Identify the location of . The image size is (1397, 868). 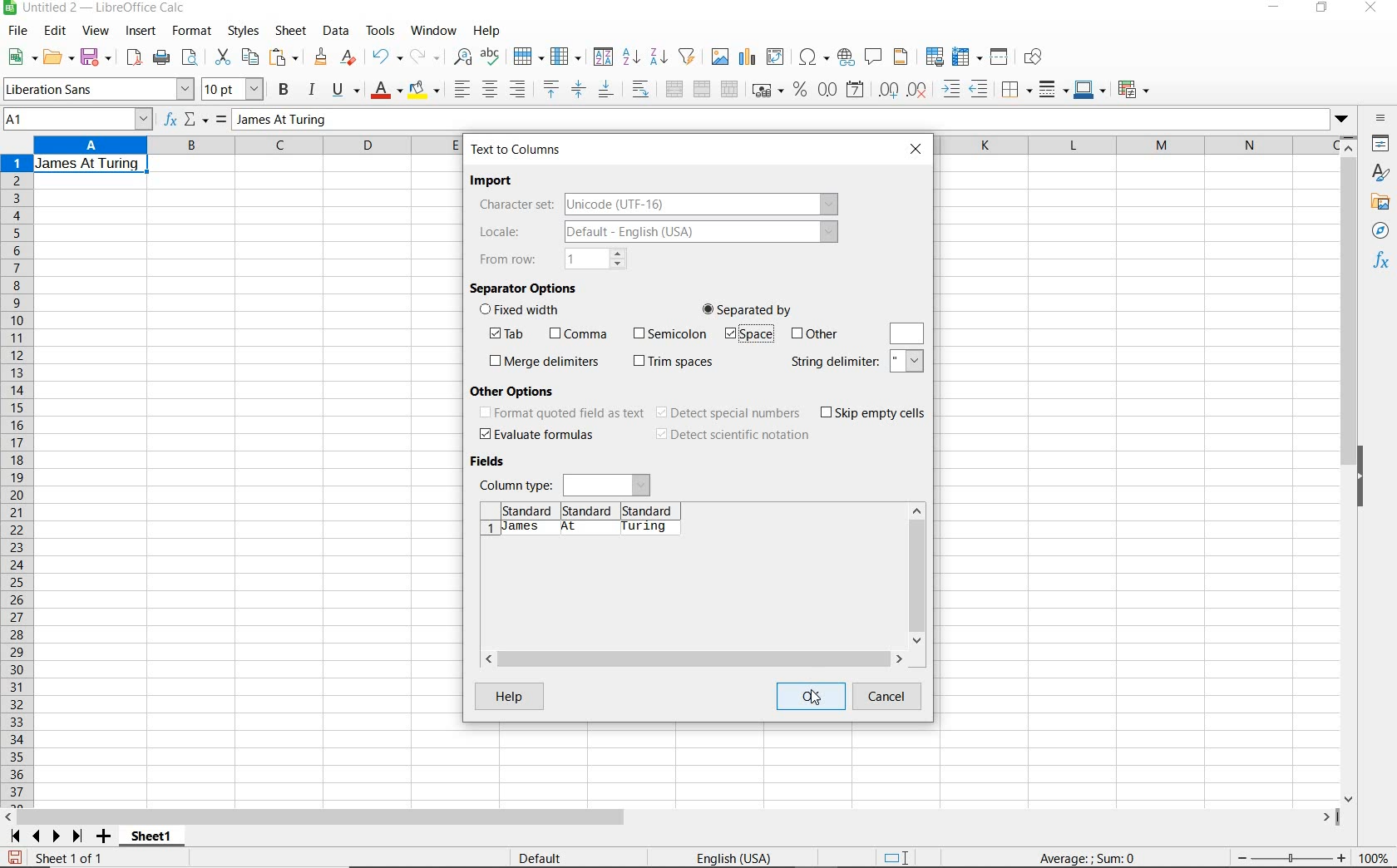
(906, 331).